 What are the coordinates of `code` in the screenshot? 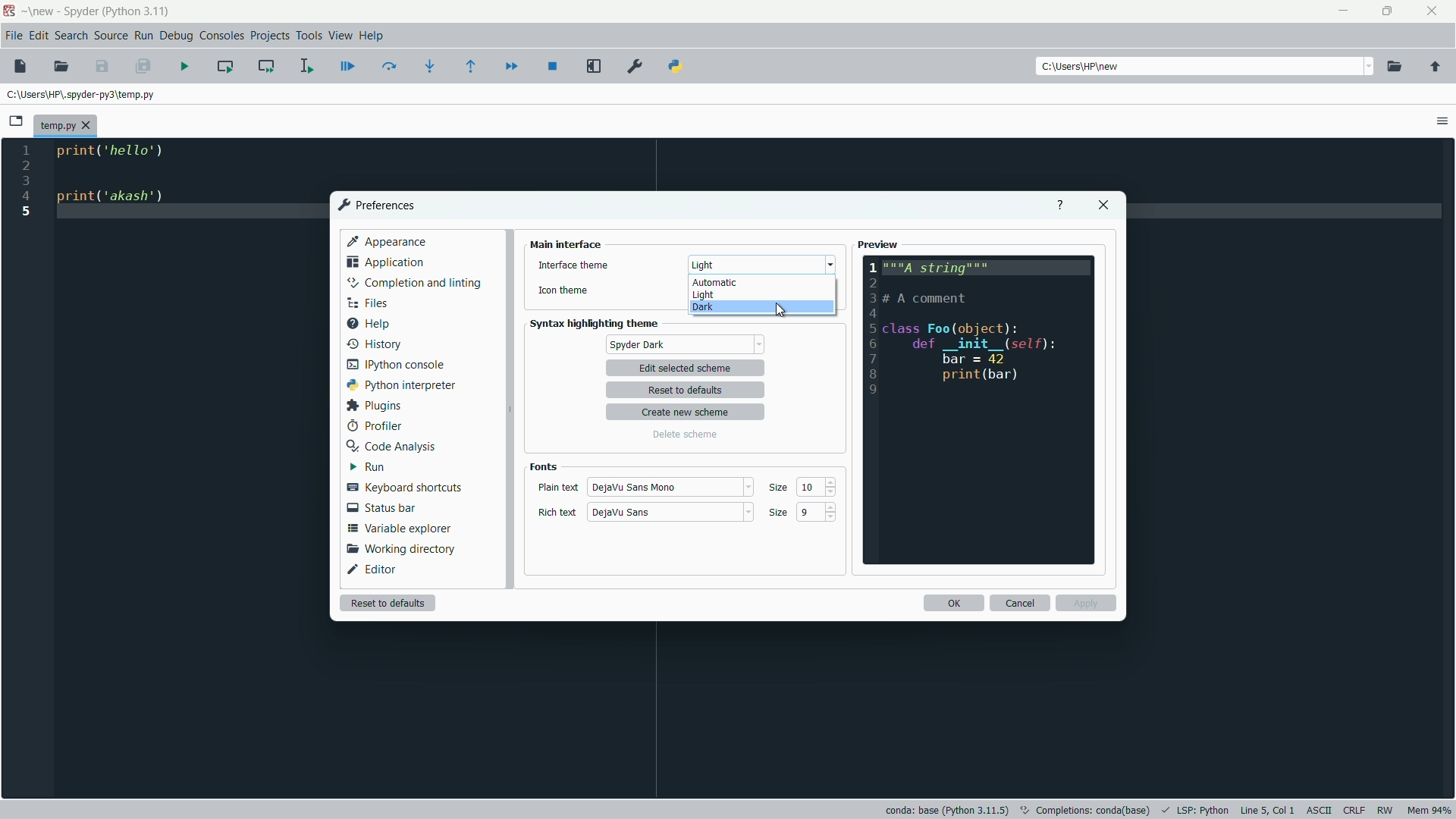 It's located at (119, 177).